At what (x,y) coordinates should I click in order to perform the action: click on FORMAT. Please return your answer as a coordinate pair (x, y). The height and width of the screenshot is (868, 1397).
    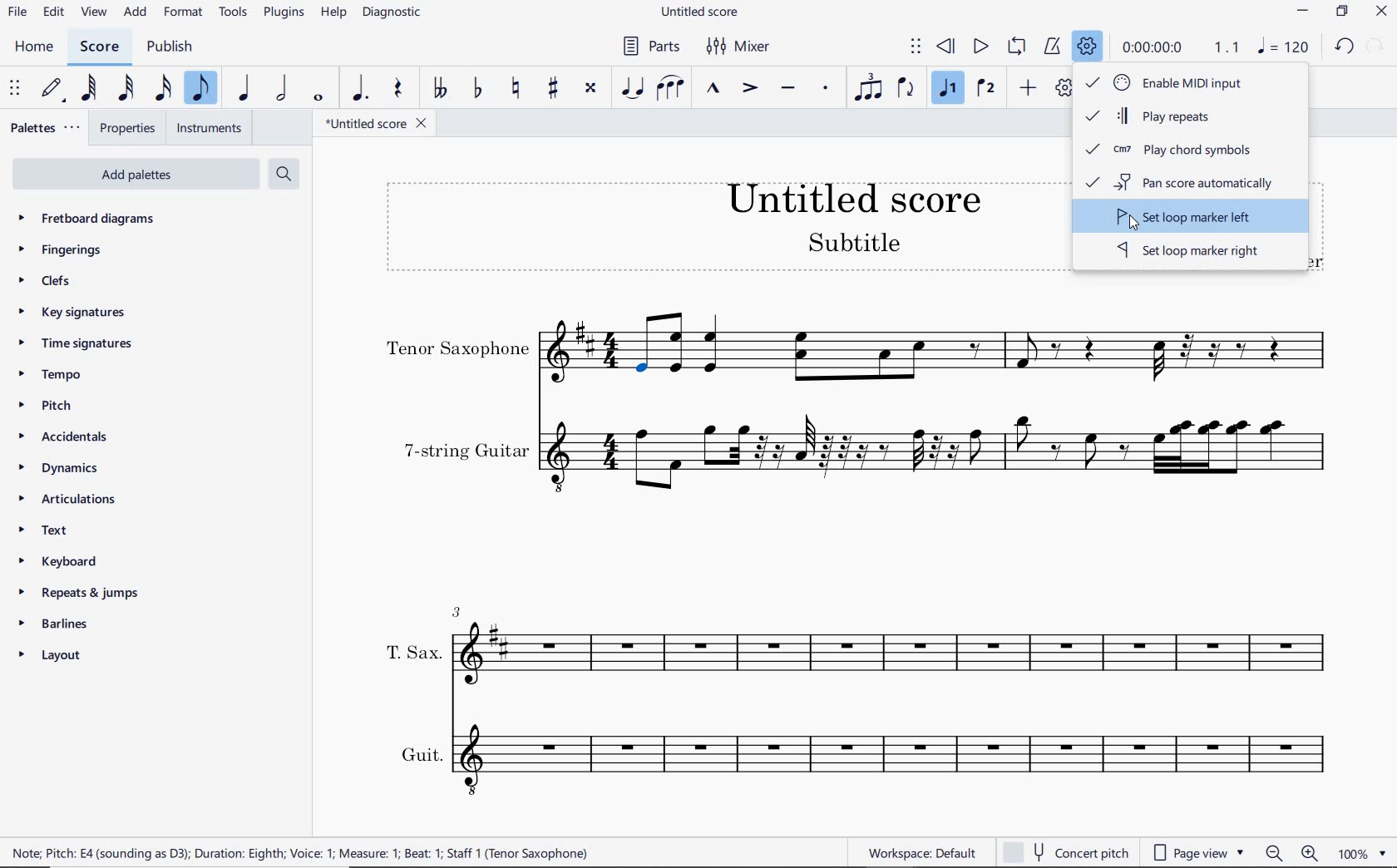
    Looking at the image, I should click on (185, 12).